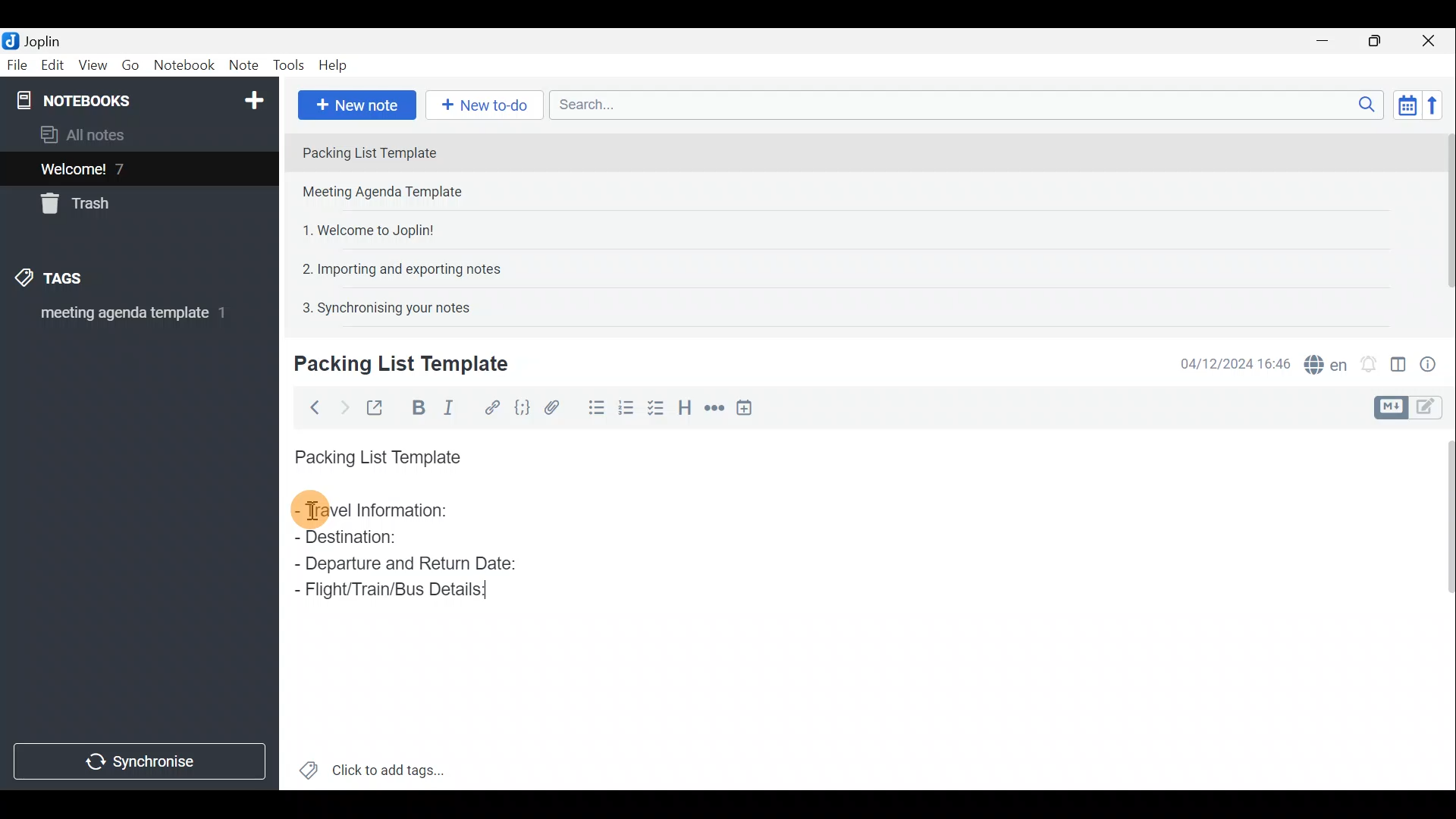 Image resolution: width=1456 pixels, height=819 pixels. I want to click on Destination:, so click(385, 538).